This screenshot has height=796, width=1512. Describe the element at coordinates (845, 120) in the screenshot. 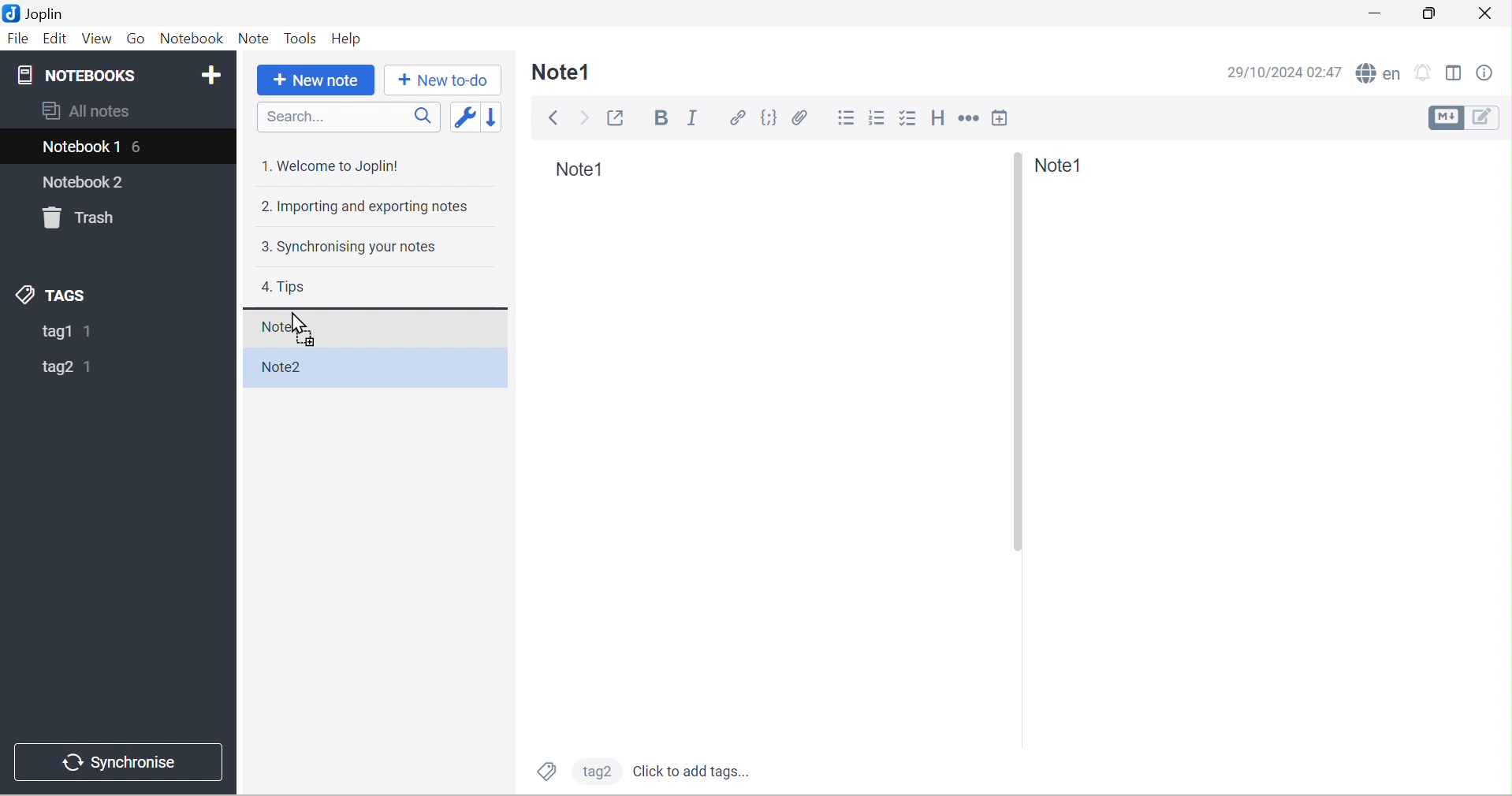

I see `Bulleted list` at that location.